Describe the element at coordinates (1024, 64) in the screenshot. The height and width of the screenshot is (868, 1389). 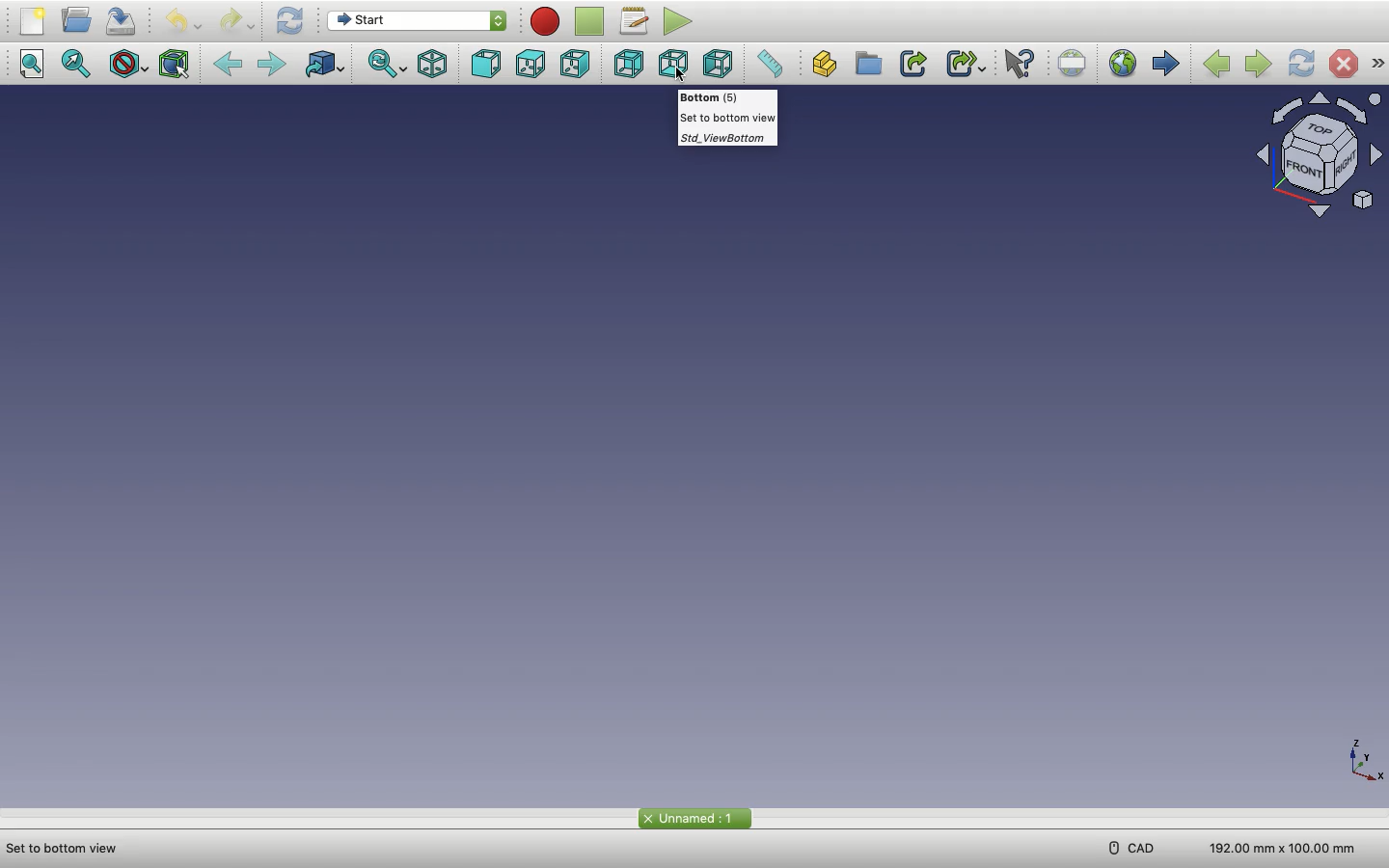
I see `What's this?` at that location.